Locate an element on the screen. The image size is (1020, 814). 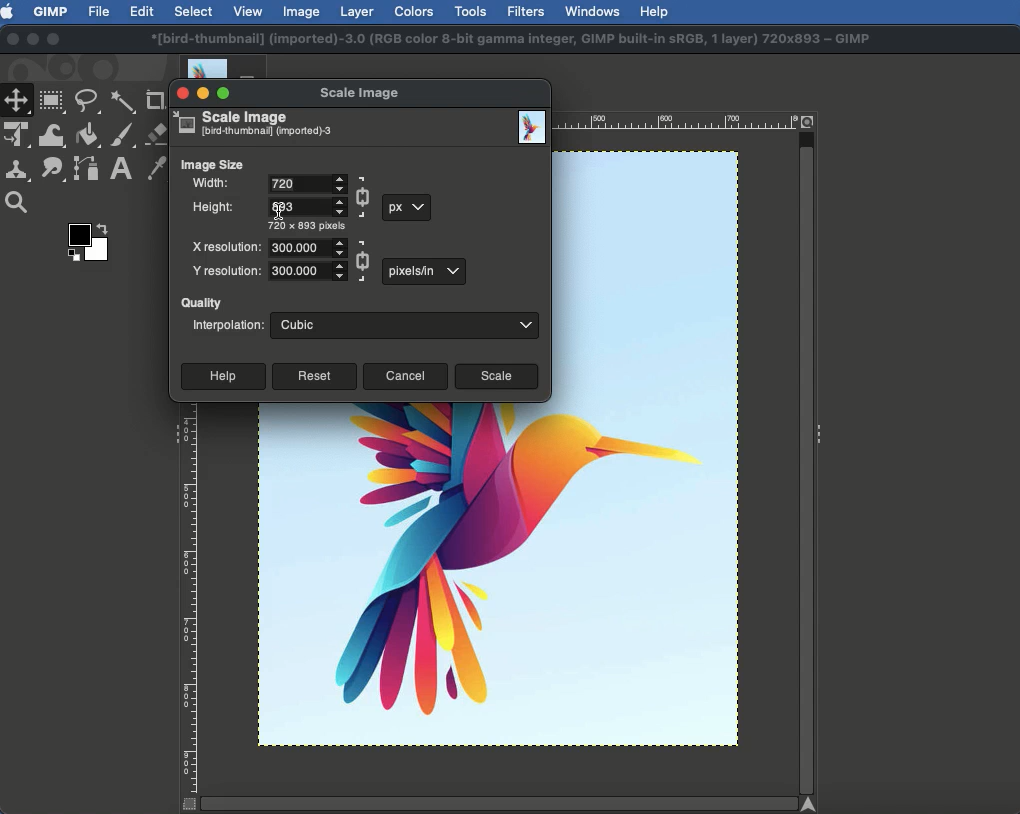
Scale image is located at coordinates (255, 124).